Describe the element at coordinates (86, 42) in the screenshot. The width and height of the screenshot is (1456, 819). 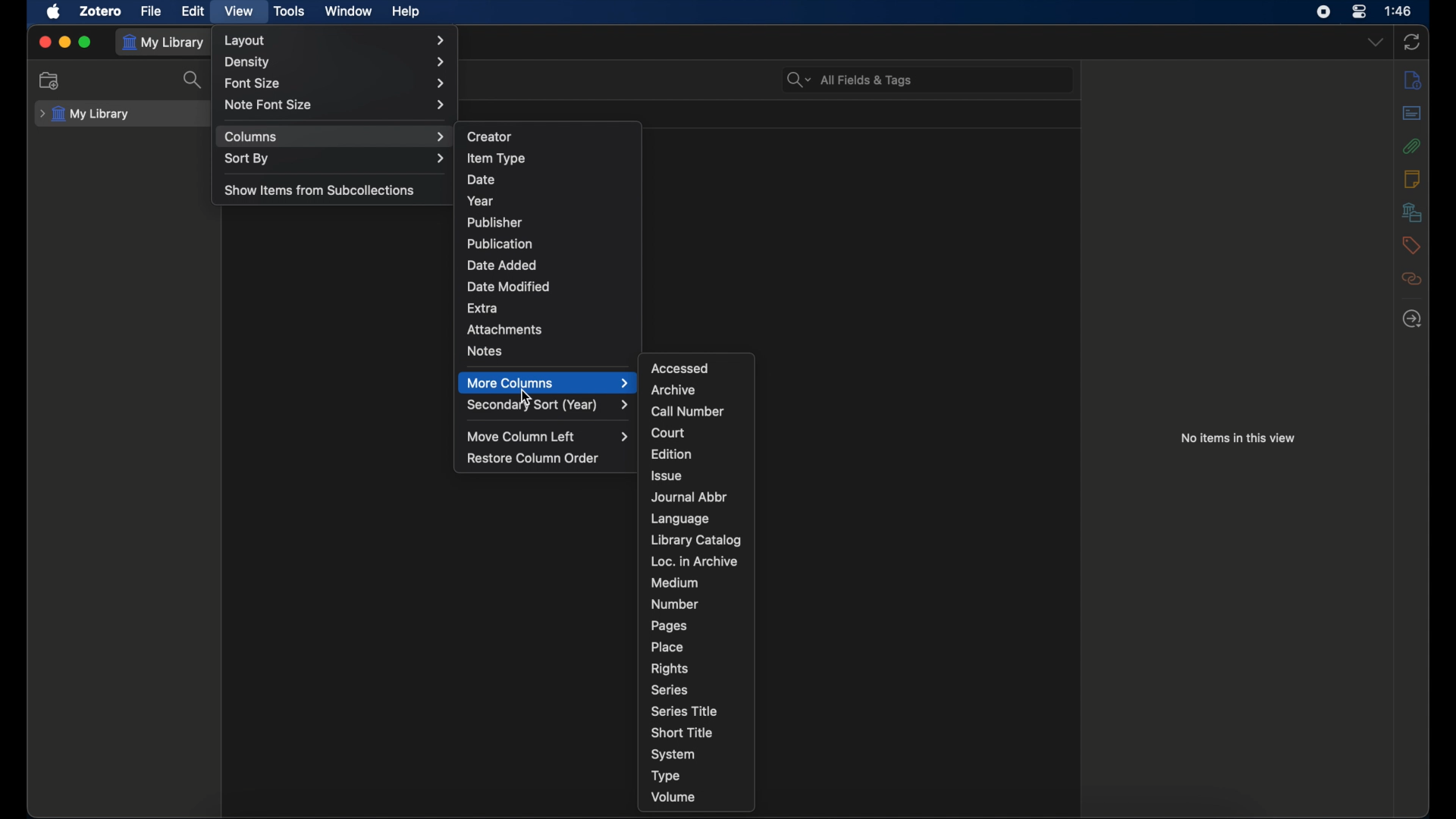
I see `maximize` at that location.